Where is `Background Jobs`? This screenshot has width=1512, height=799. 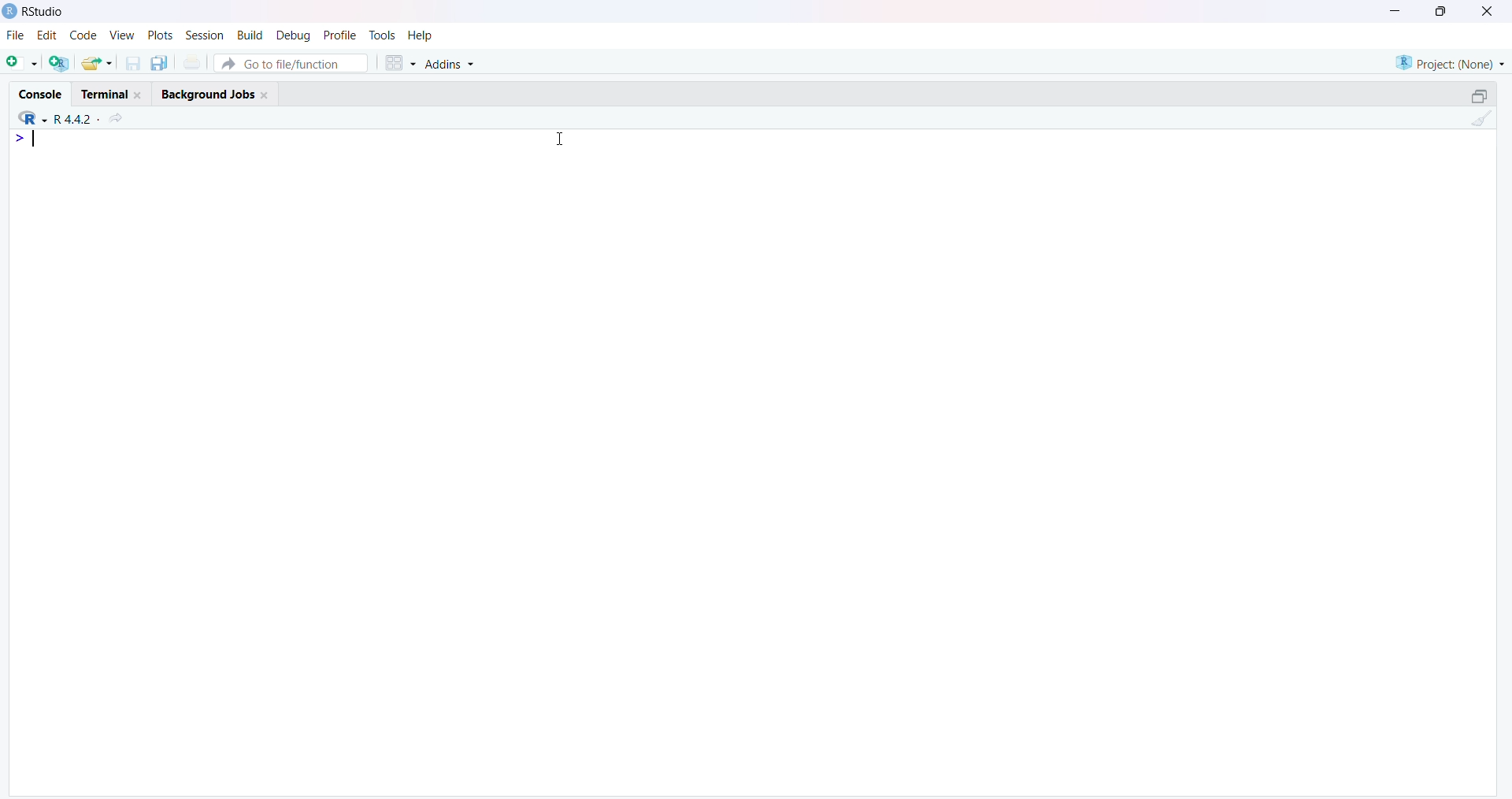
Background Jobs is located at coordinates (220, 92).